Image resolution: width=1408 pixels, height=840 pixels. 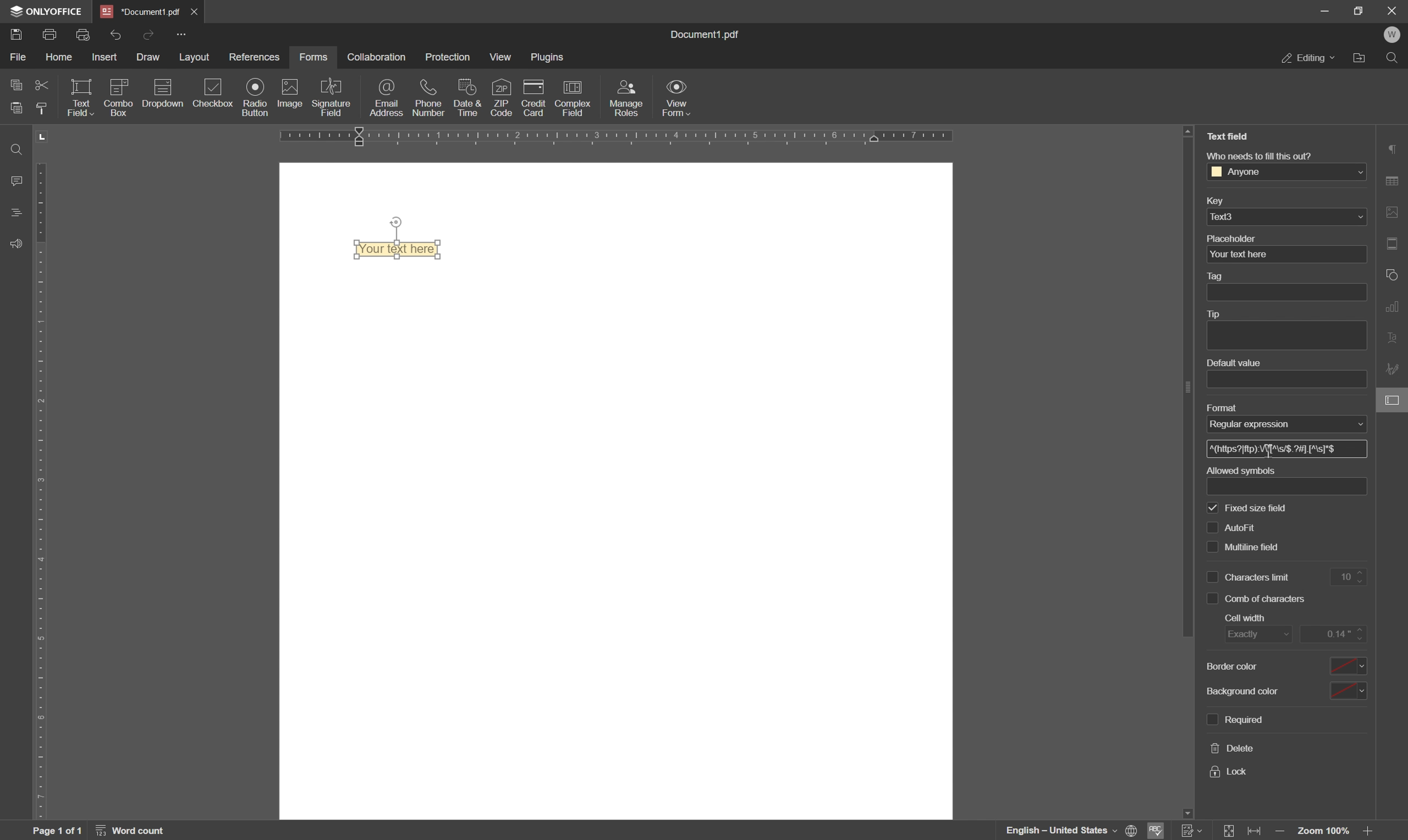 What do you see at coordinates (1071, 830) in the screenshot?
I see `set document language` at bounding box center [1071, 830].